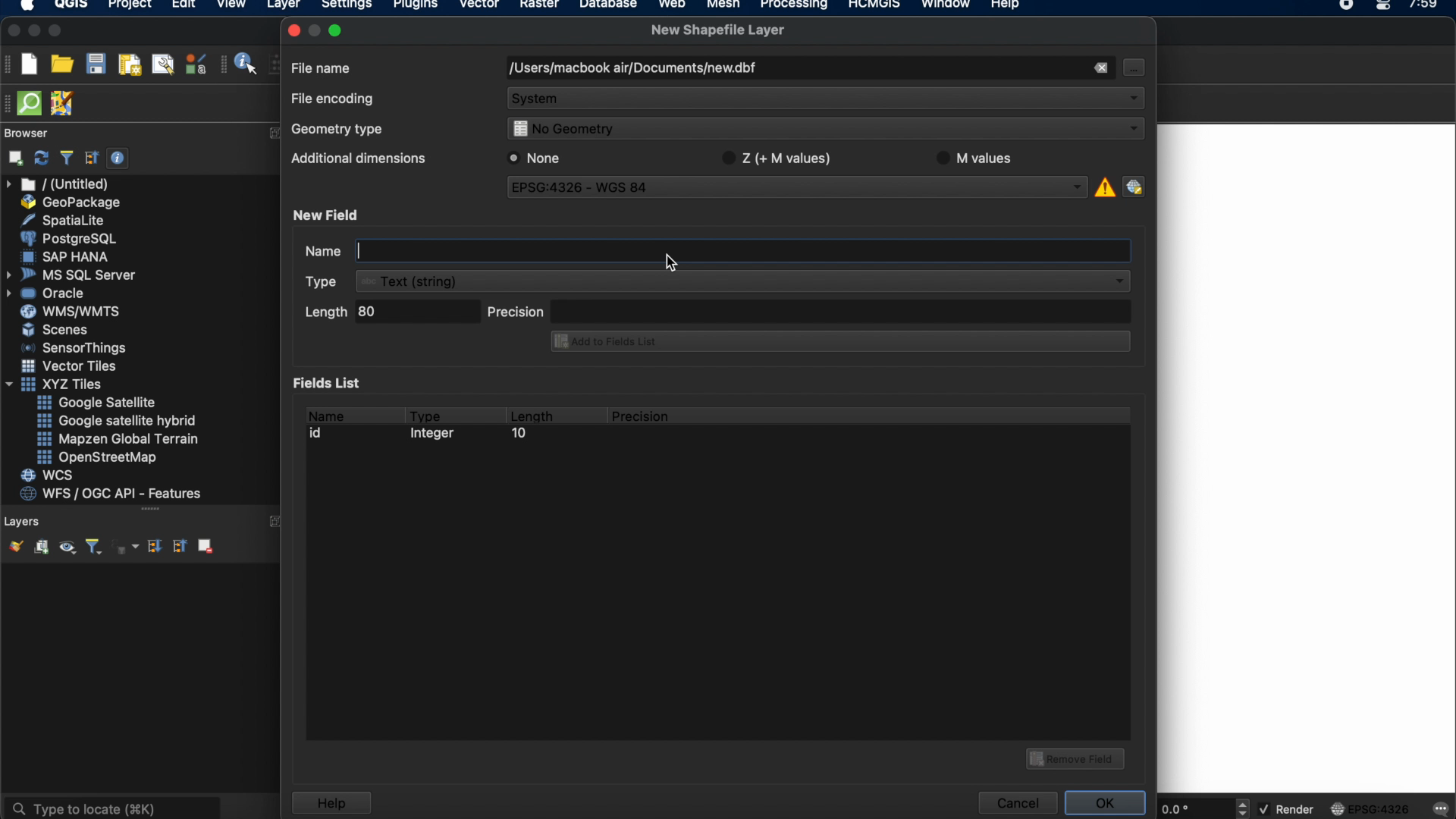 Image resolution: width=1456 pixels, height=819 pixels. I want to click on render, so click(1288, 810).